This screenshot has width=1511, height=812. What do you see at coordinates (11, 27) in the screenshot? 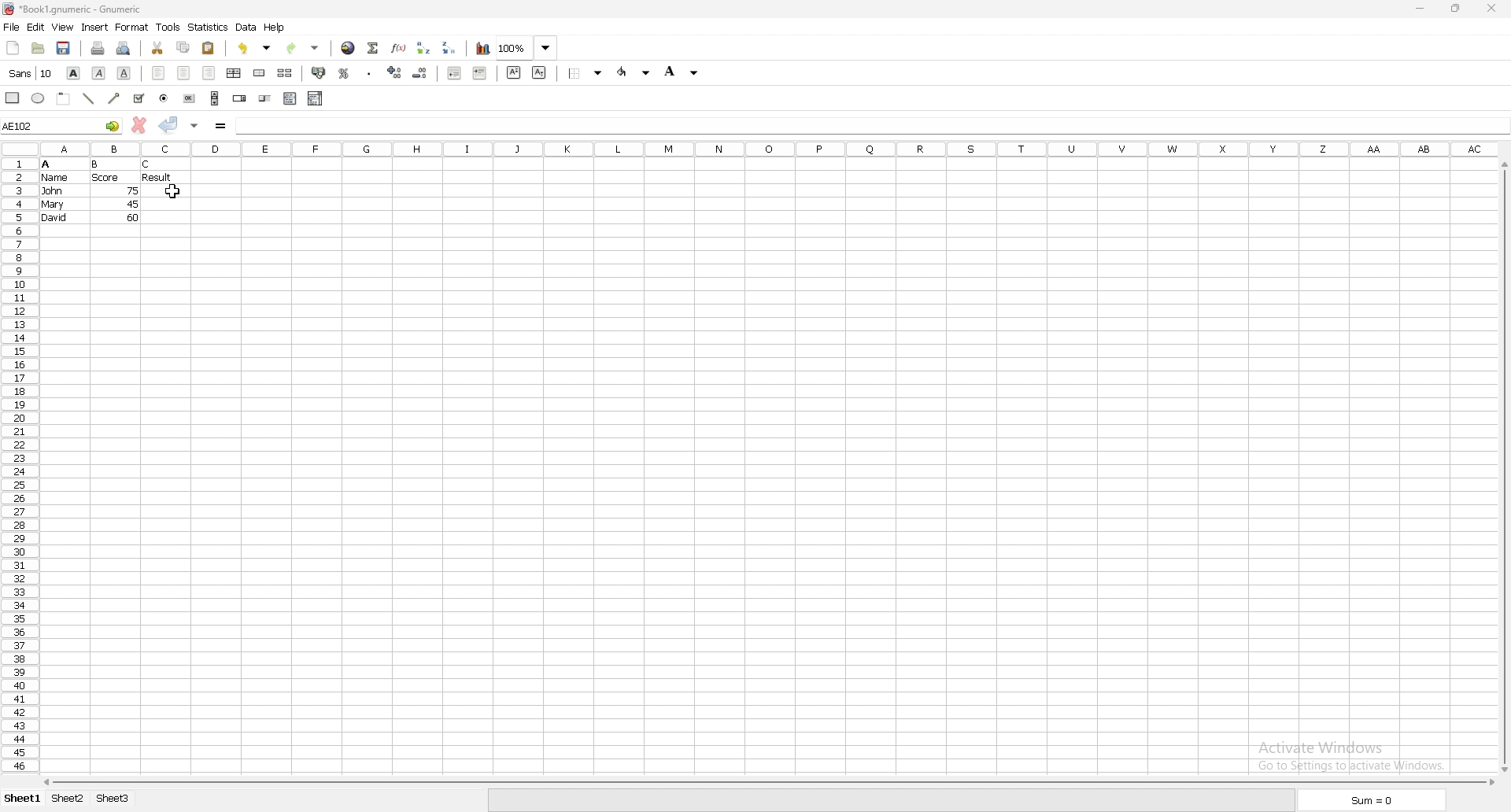
I see `file` at bounding box center [11, 27].